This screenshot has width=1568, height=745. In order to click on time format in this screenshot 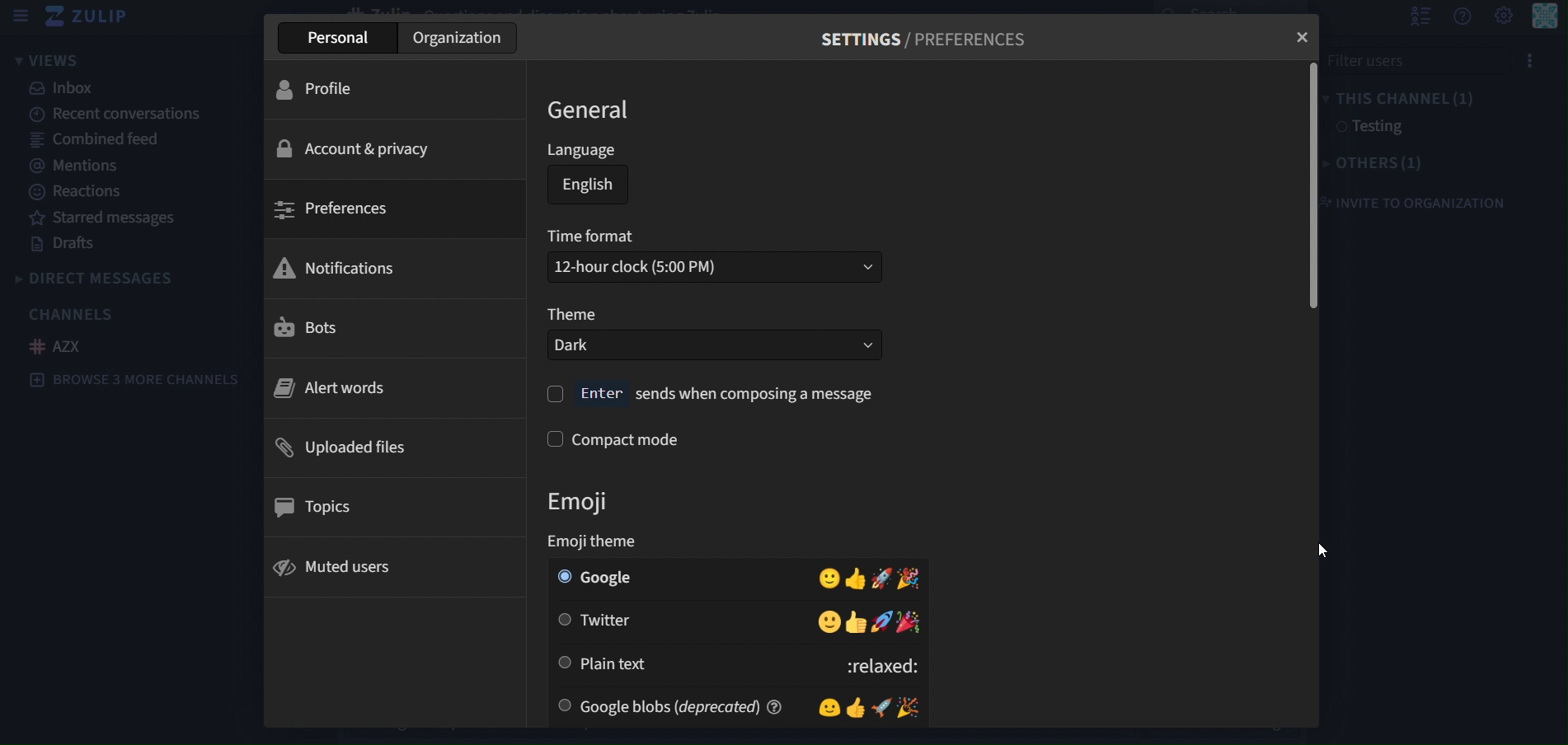, I will do `click(630, 232)`.